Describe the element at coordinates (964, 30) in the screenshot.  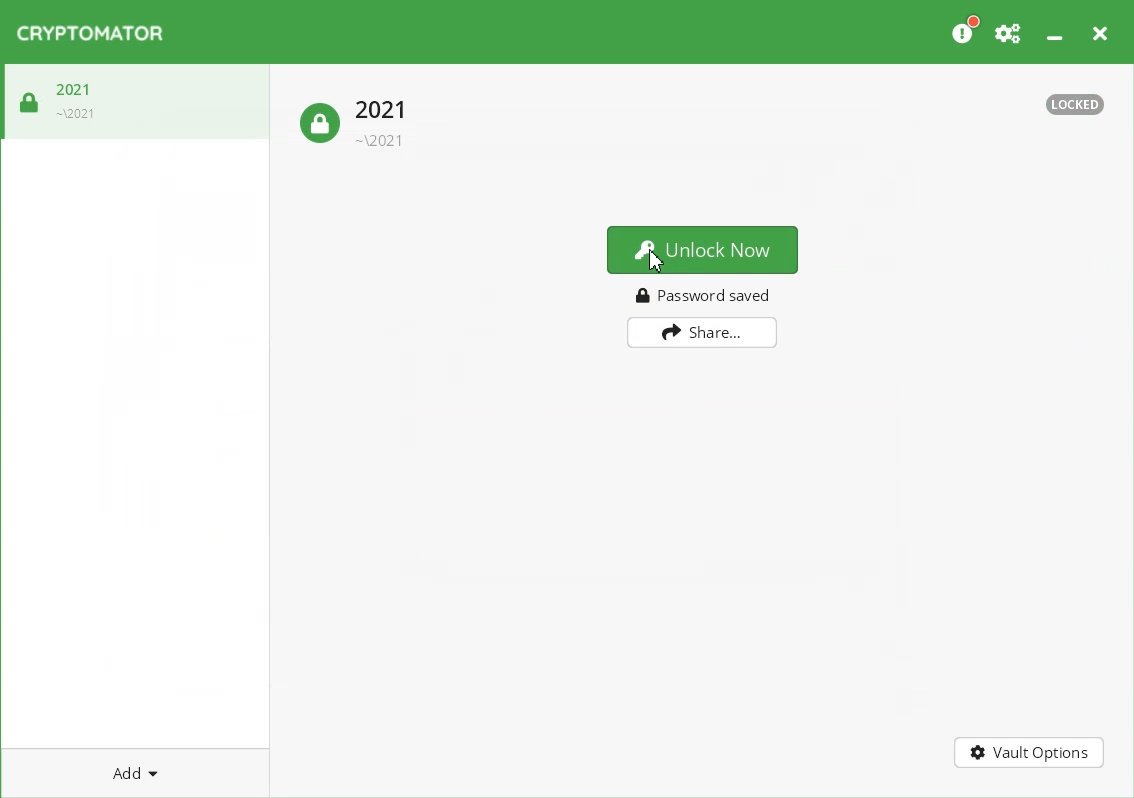
I see `Please Consider donating` at that location.